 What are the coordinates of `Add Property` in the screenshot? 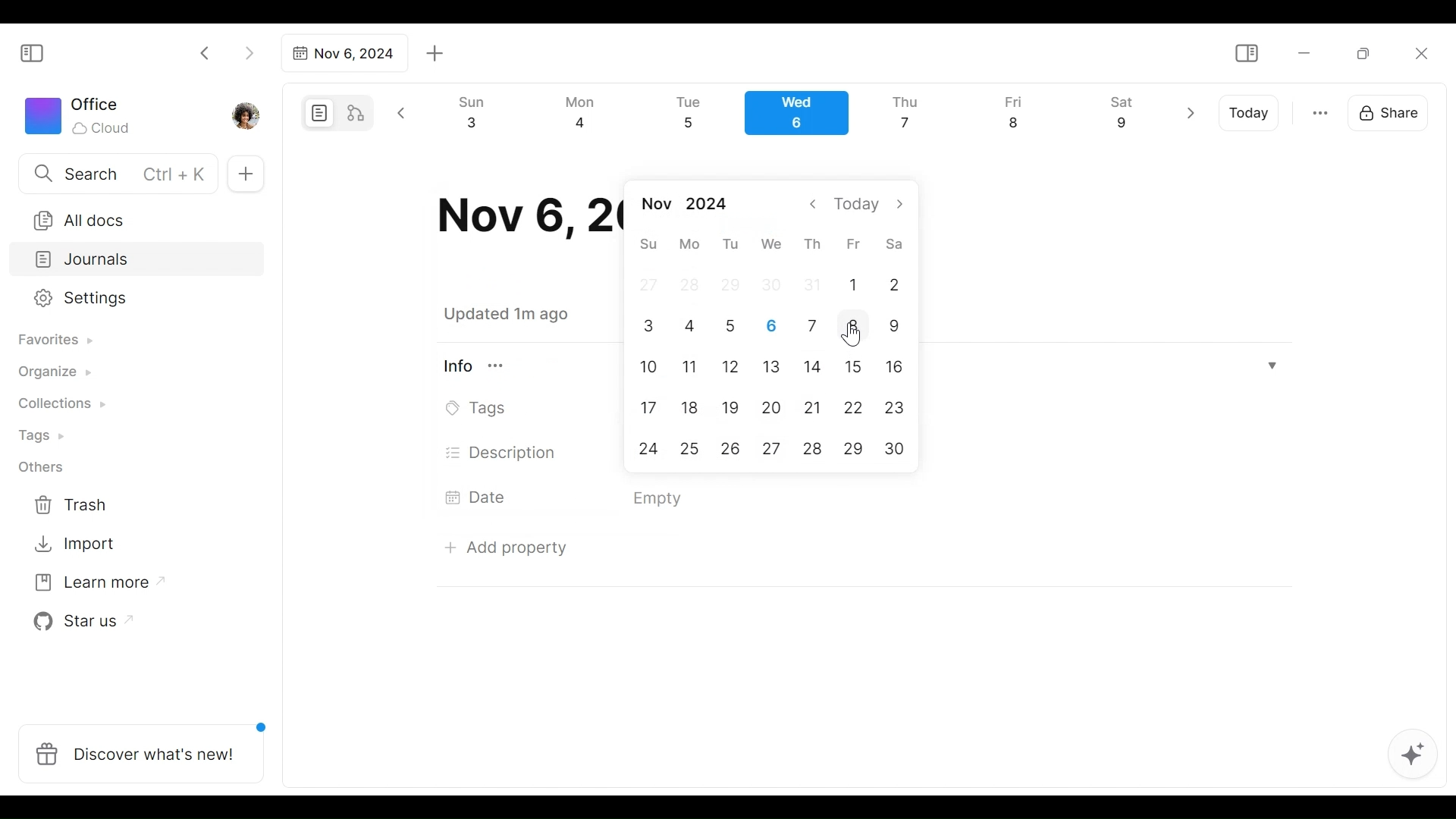 It's located at (506, 544).